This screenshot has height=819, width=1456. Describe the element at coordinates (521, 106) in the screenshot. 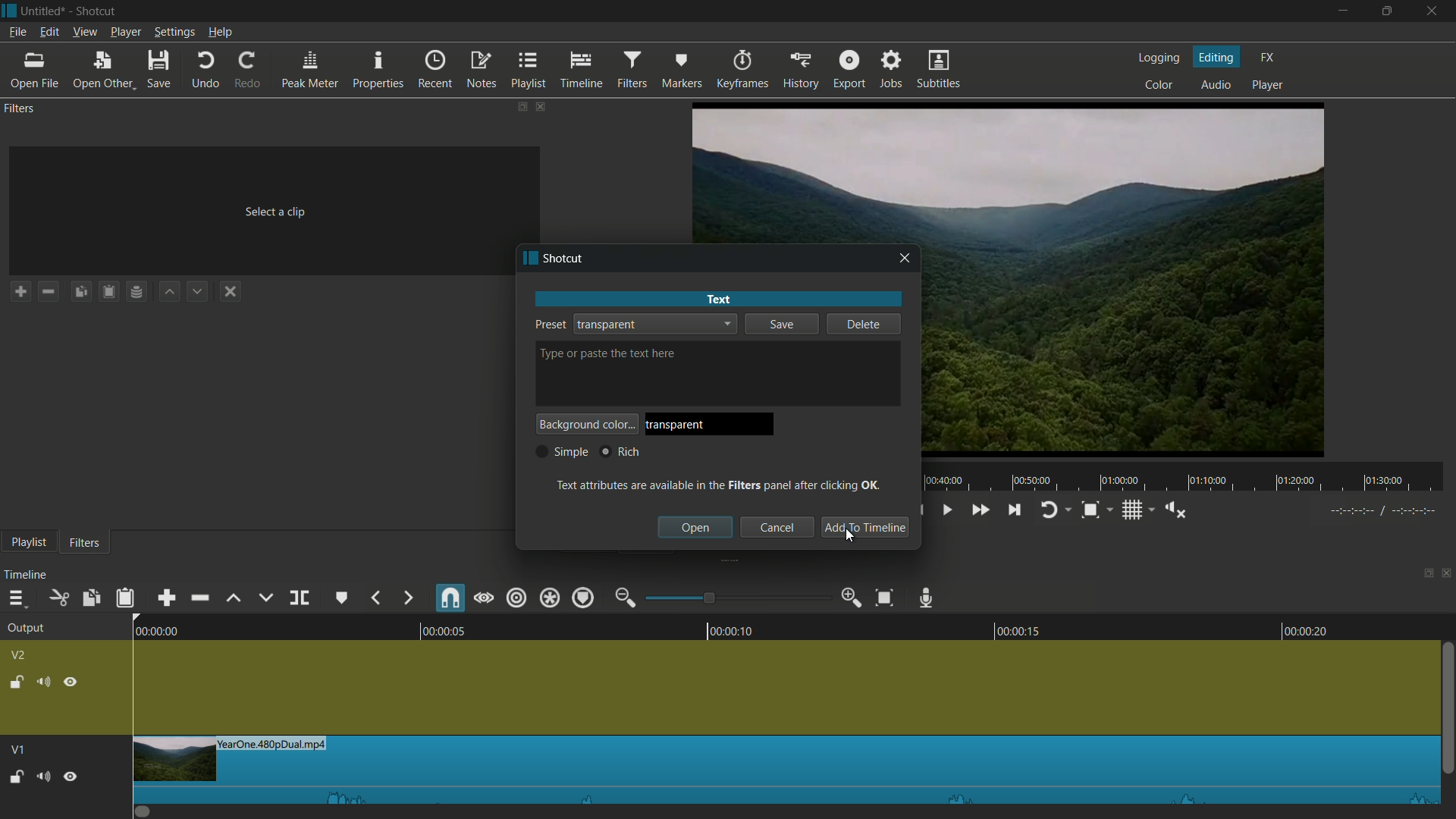

I see `change layout` at that location.